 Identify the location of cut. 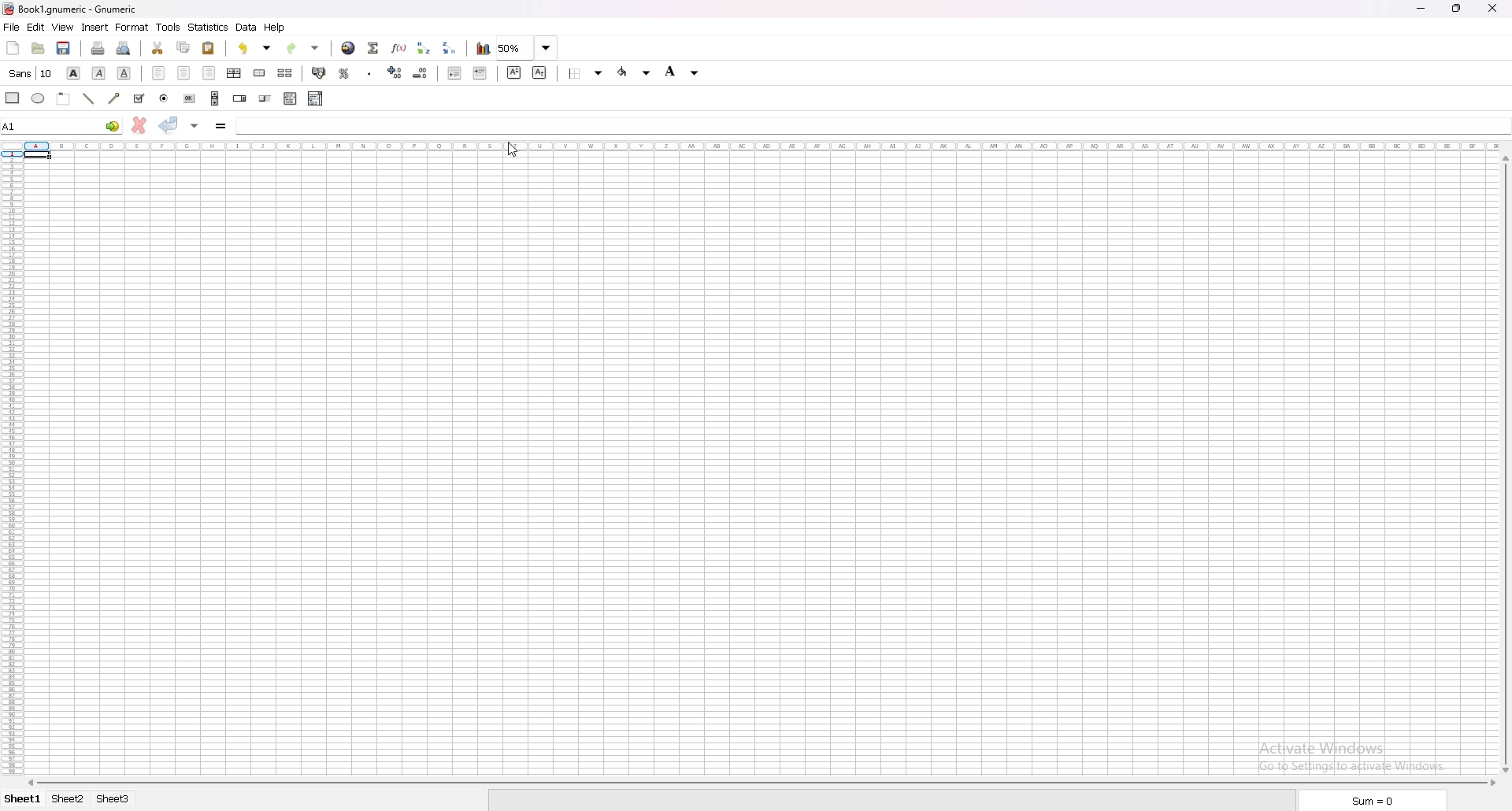
(158, 47).